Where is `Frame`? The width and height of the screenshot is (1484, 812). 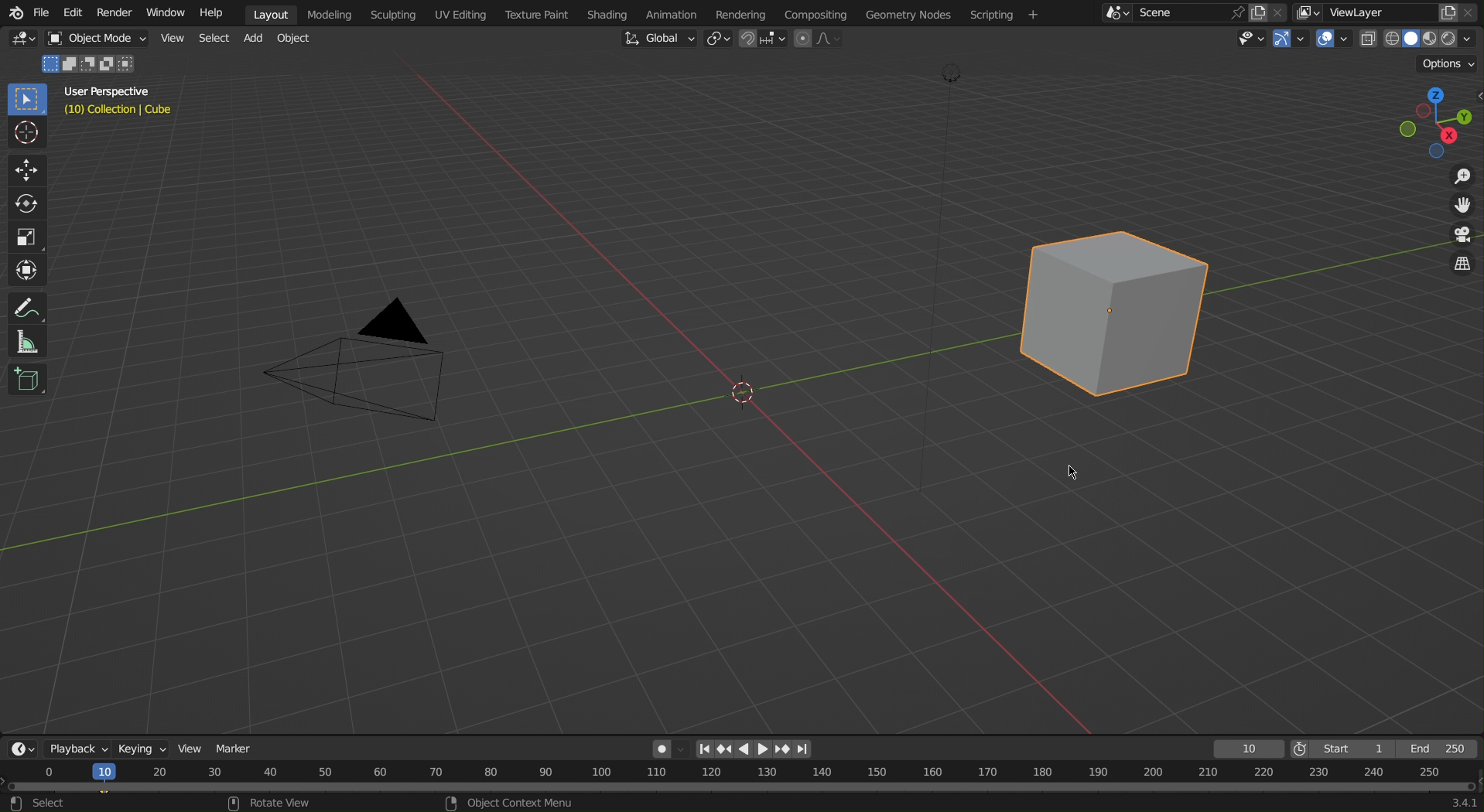 Frame is located at coordinates (1246, 749).